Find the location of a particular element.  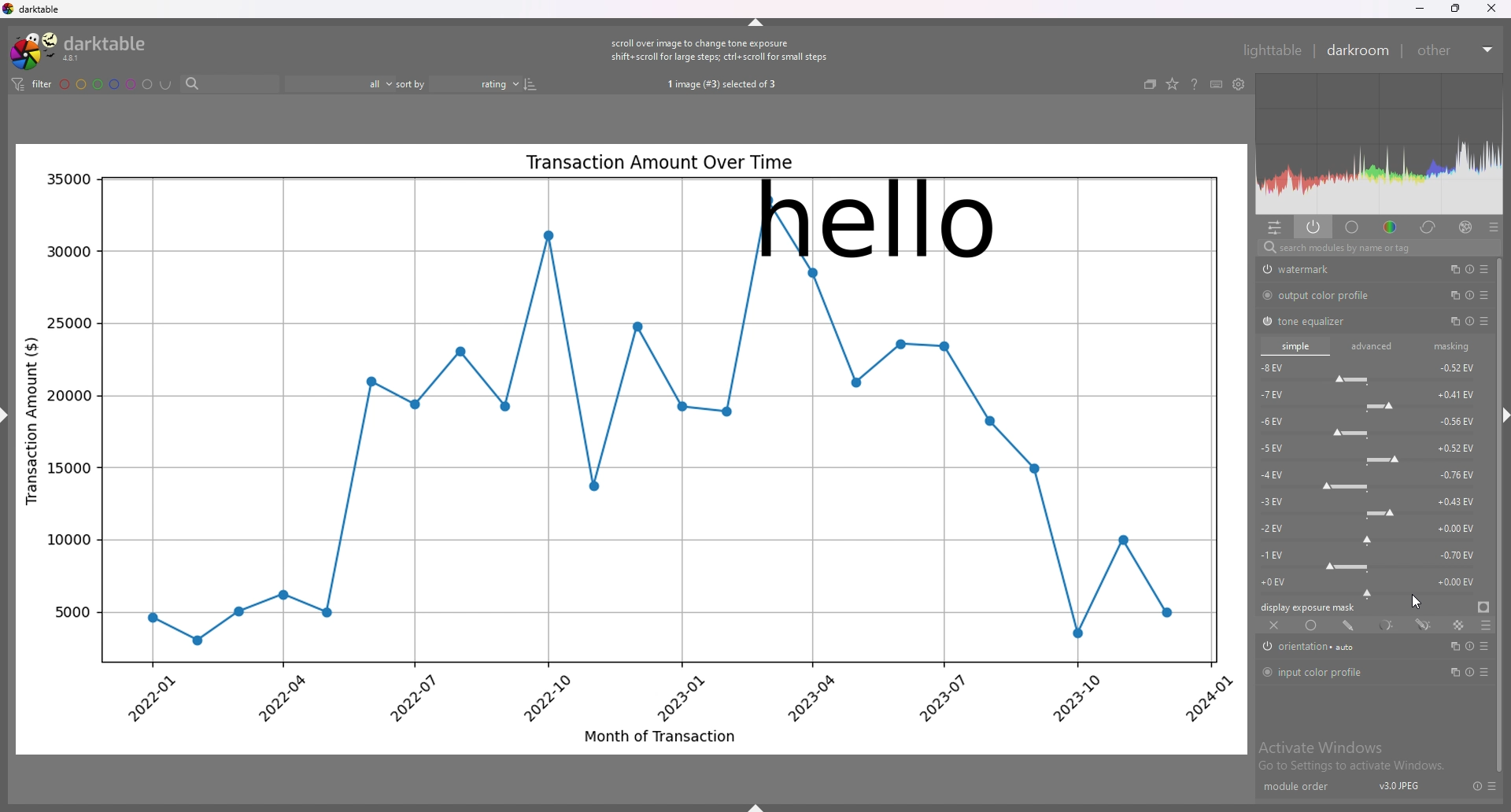

expand/collapse  is located at coordinates (1487, 50).